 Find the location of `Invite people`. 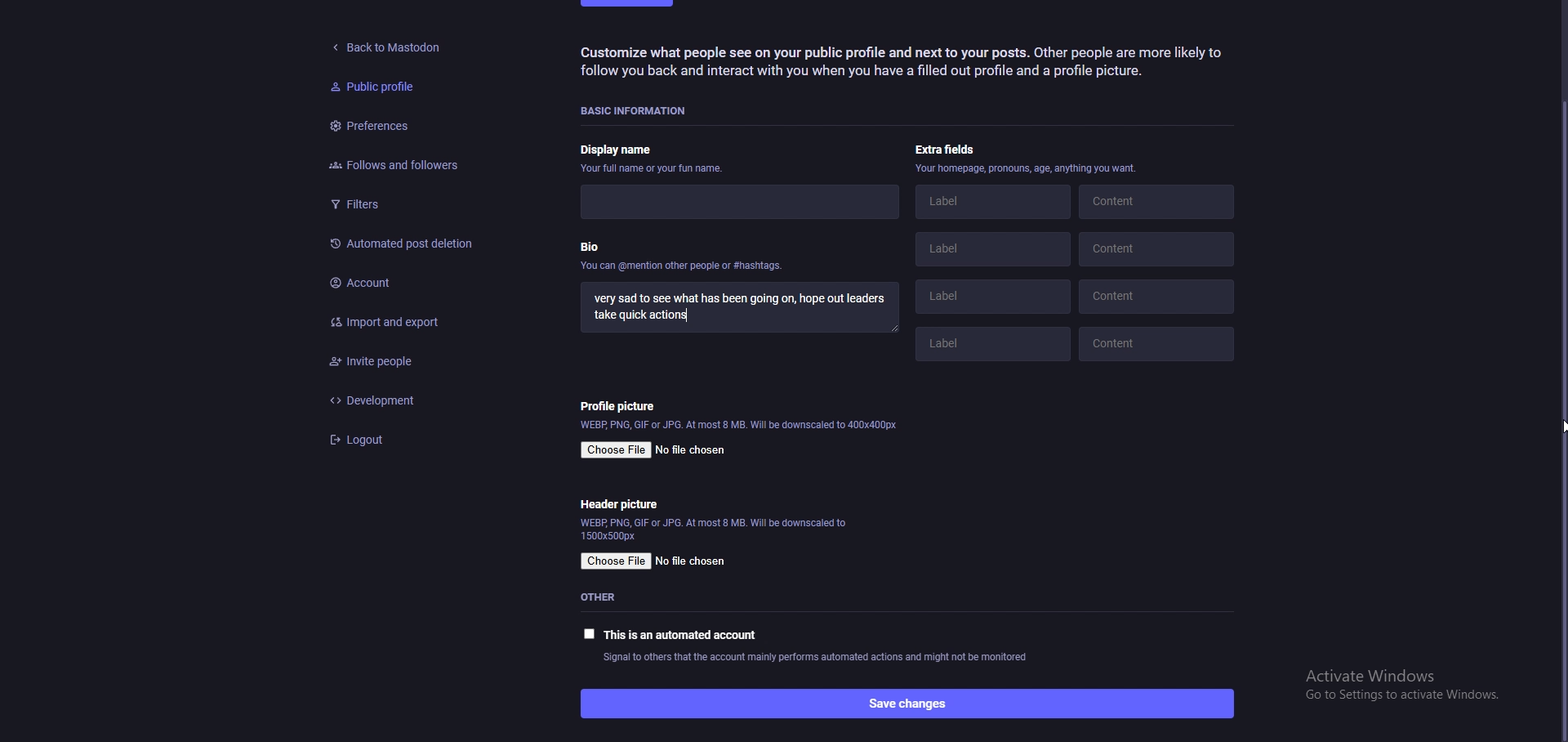

Invite people is located at coordinates (413, 362).